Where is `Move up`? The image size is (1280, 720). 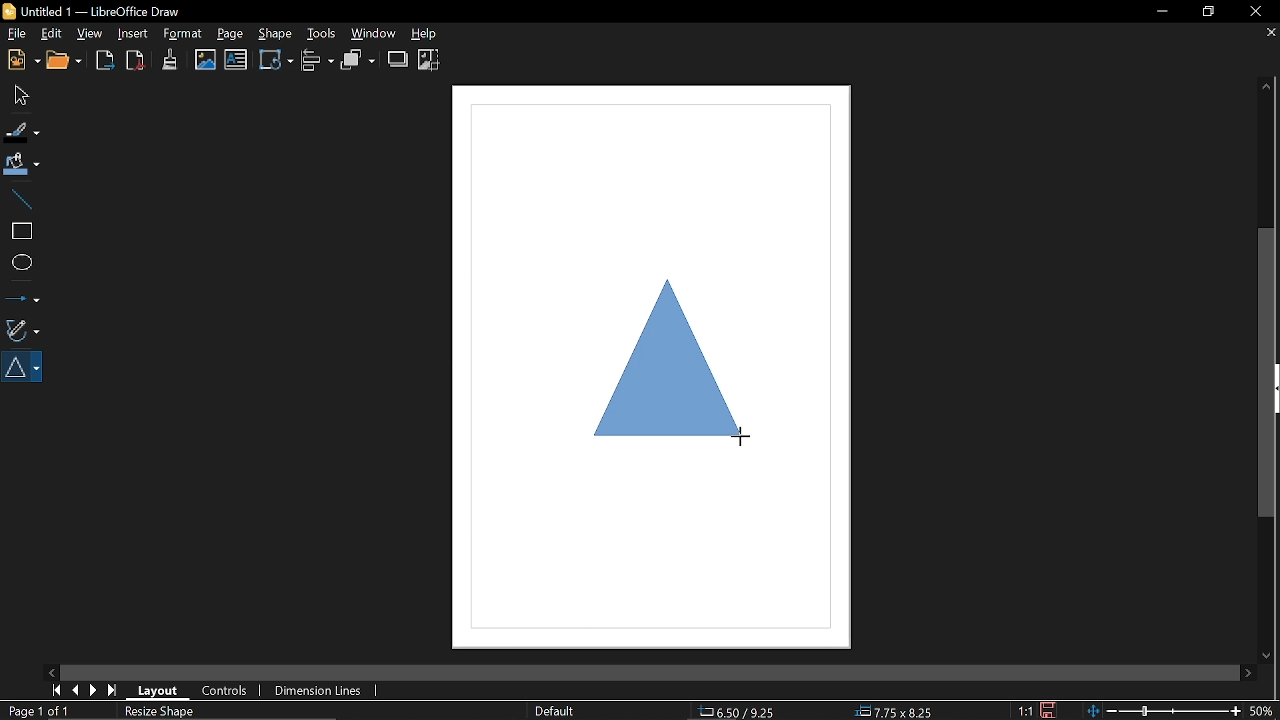 Move up is located at coordinates (1267, 86).